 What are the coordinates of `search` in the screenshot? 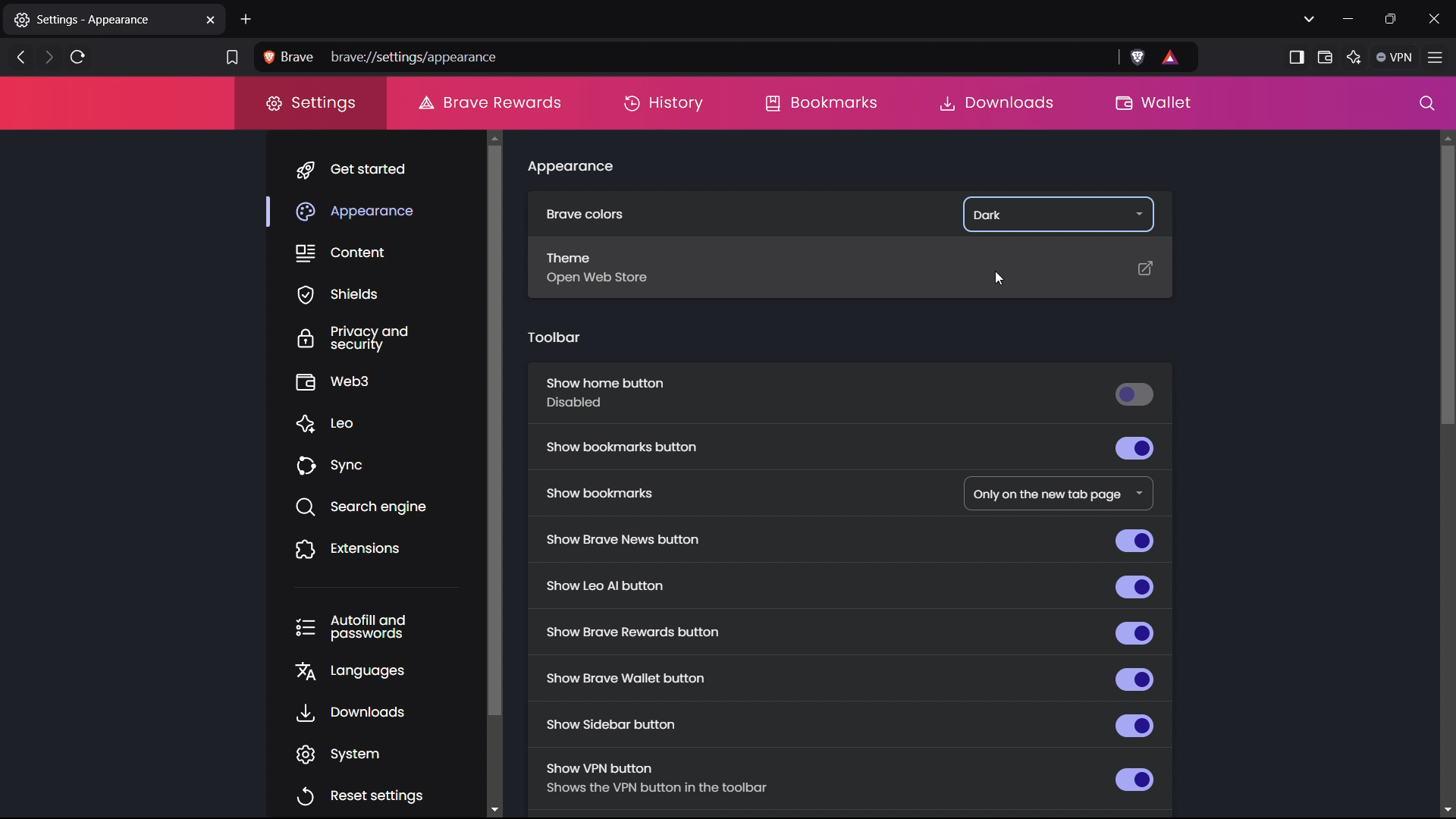 It's located at (1422, 102).